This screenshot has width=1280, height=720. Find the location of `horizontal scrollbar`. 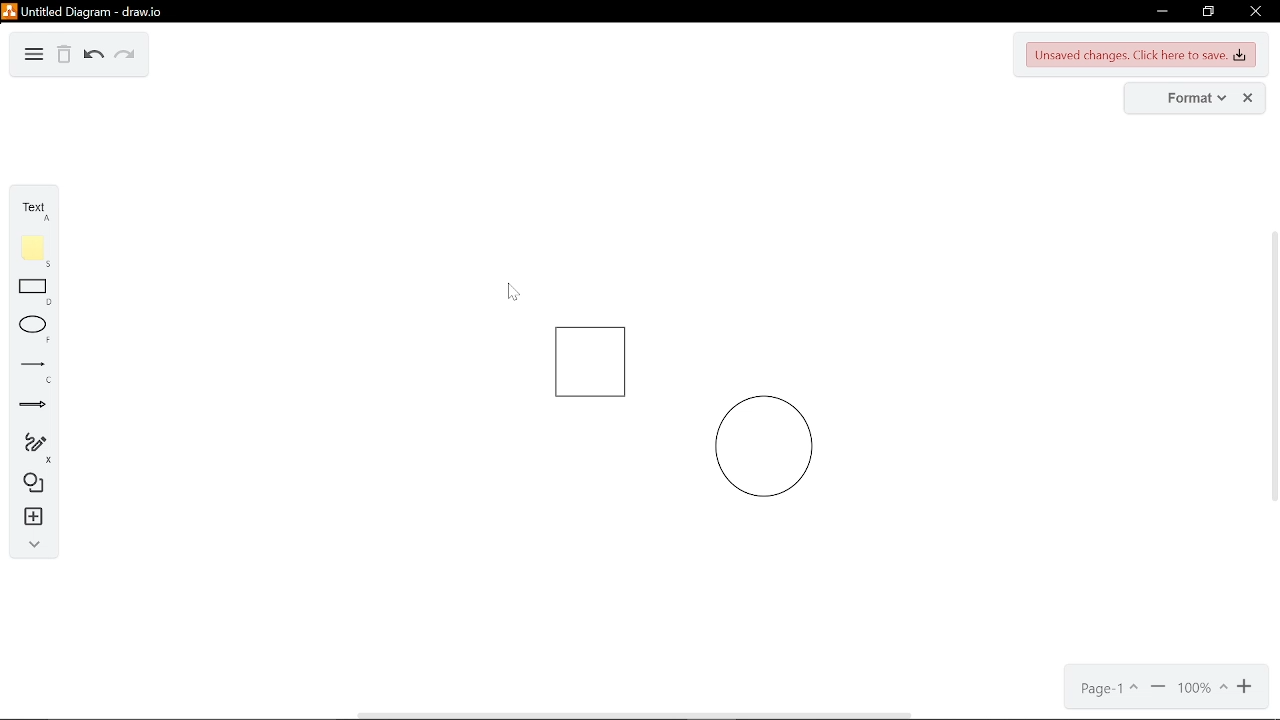

horizontal scrollbar is located at coordinates (635, 715).